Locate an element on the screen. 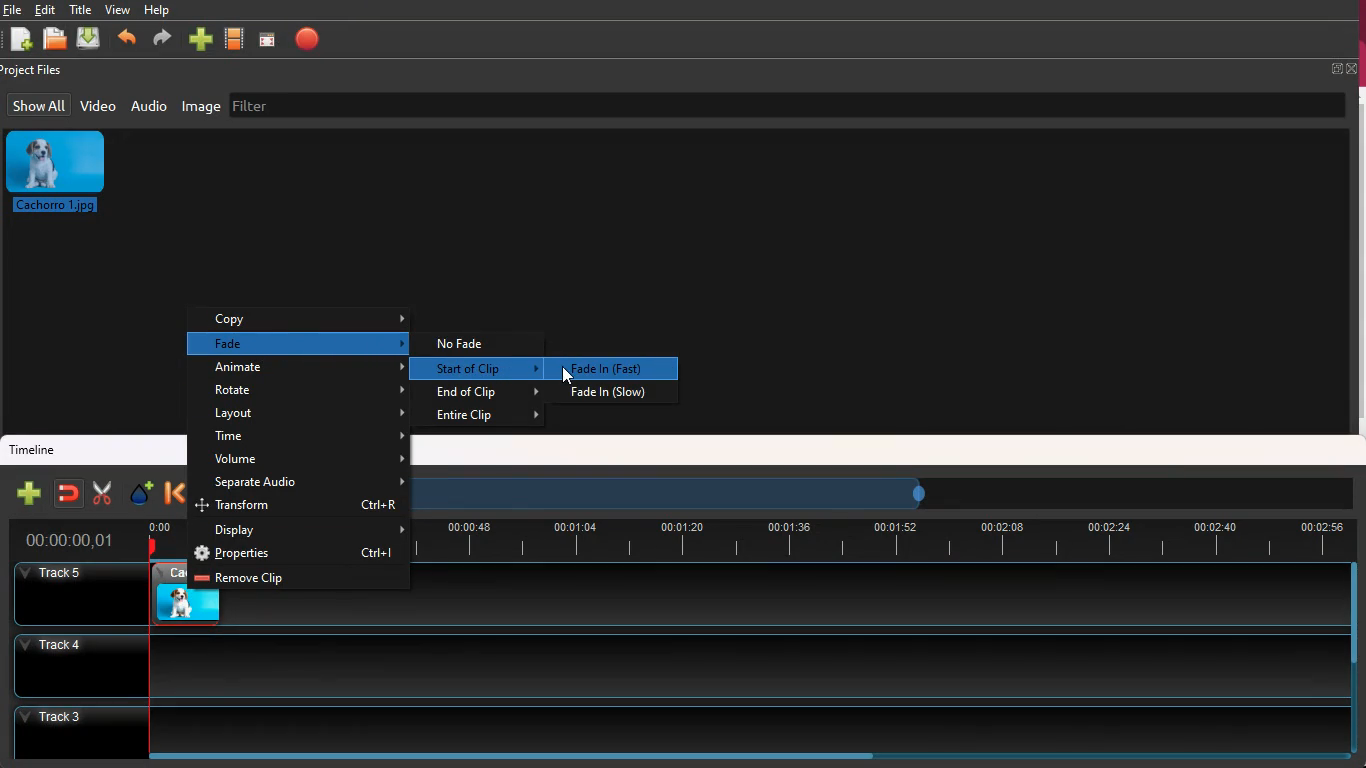  back is located at coordinates (129, 38).